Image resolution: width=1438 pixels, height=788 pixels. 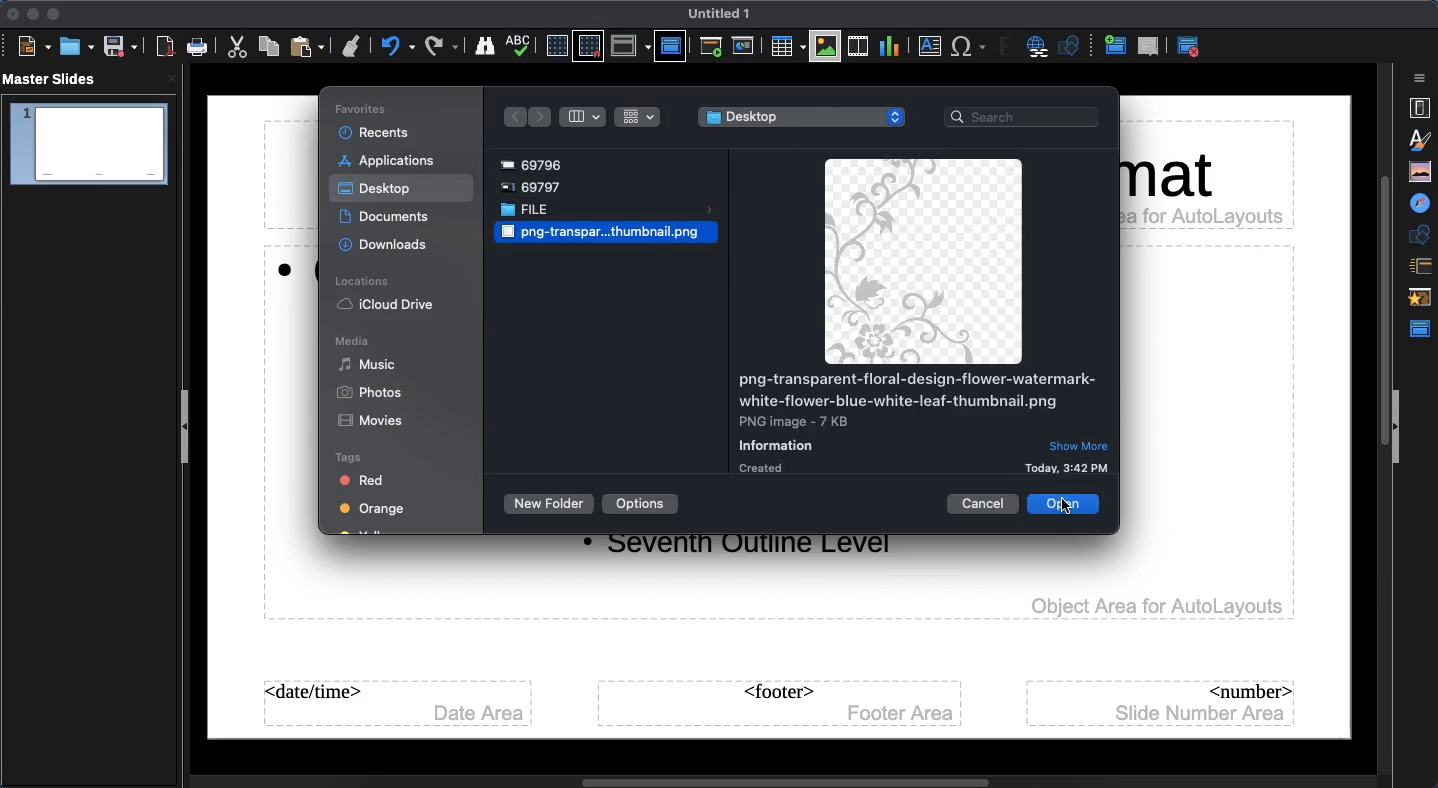 What do you see at coordinates (781, 444) in the screenshot?
I see `Information` at bounding box center [781, 444].